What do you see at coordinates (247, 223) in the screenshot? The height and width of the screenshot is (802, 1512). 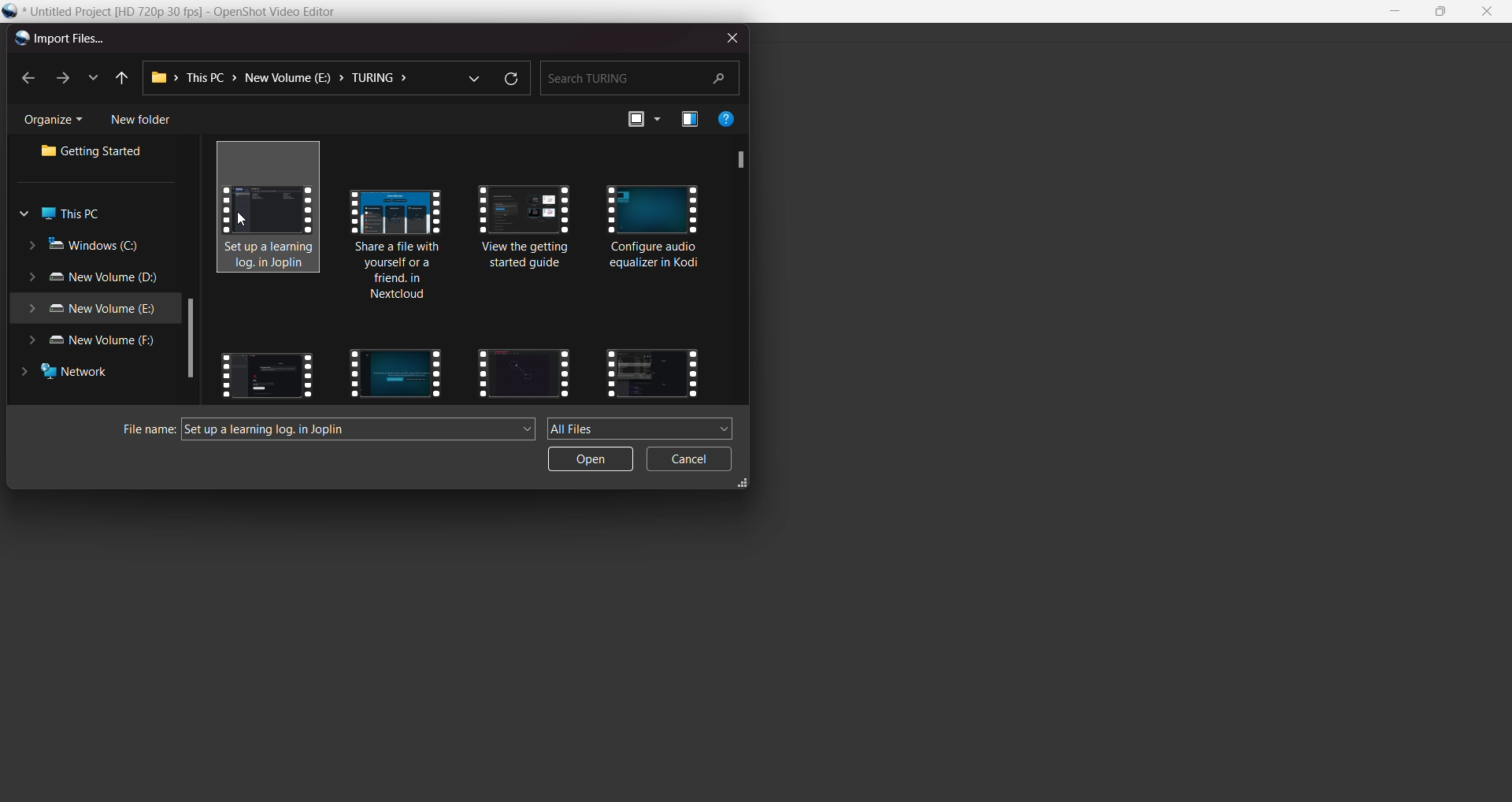 I see `cursor` at bounding box center [247, 223].